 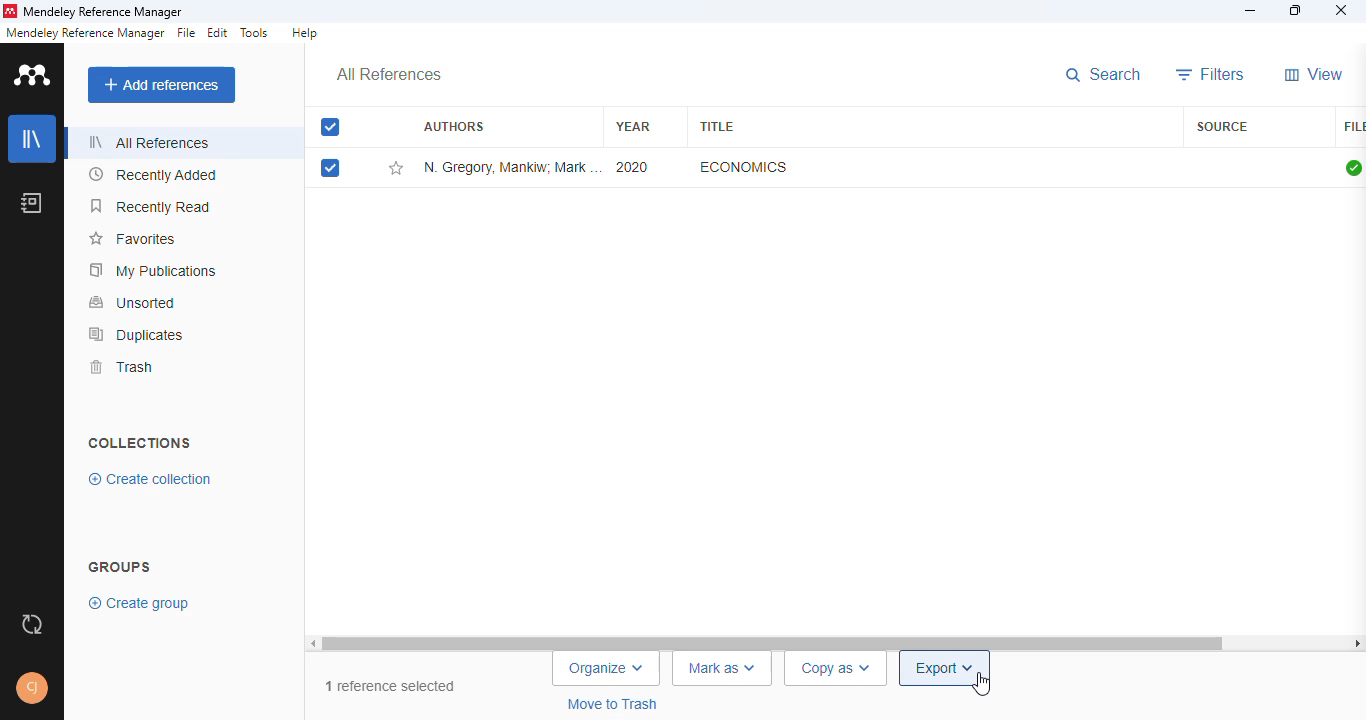 What do you see at coordinates (396, 169) in the screenshot?
I see `add this reference to favorites` at bounding box center [396, 169].